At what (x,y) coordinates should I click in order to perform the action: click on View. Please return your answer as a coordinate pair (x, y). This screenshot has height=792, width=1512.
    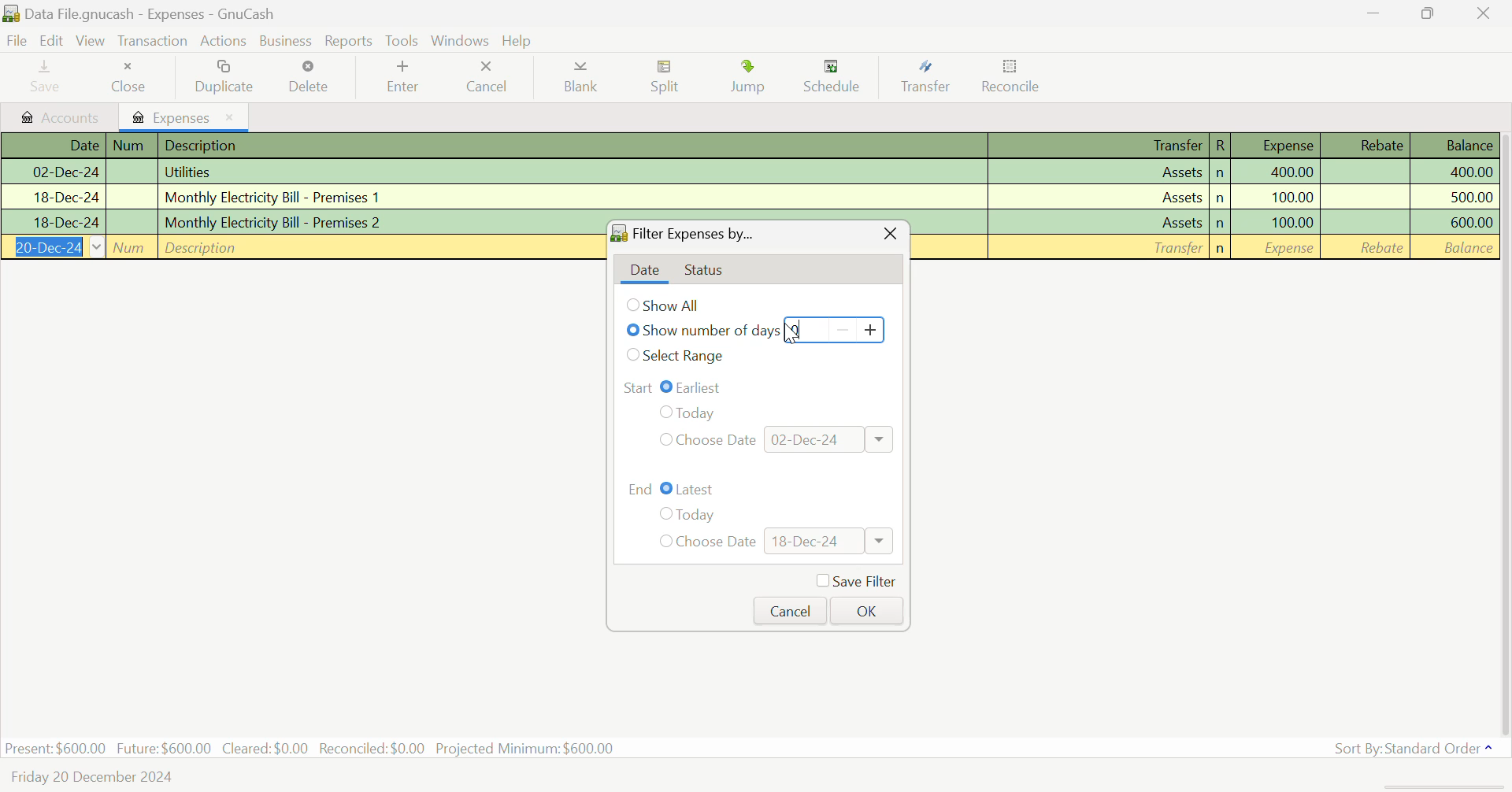
    Looking at the image, I should click on (91, 42).